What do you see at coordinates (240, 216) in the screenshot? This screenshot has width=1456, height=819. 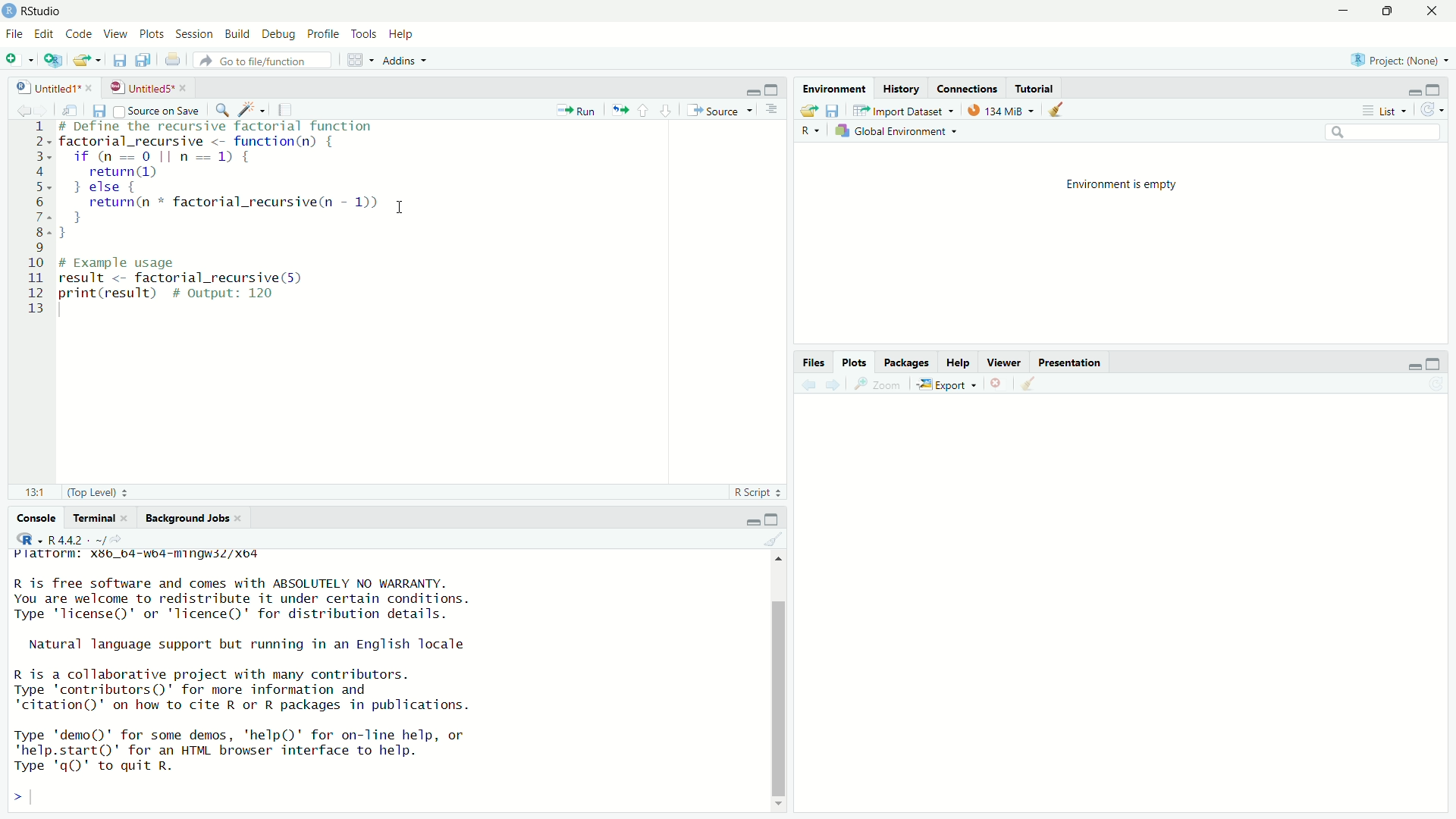 I see `# Derine the recursive tactorial Tunction
factorial_recursive <- function(n) {
ifh=01Iln=1{
return(1)
} else {
return(n * factorial_recursive(n - 1)) |
3}
3}
# Example usage
result <- factorial_recursive(5)
print(result) # Output: 120` at bounding box center [240, 216].